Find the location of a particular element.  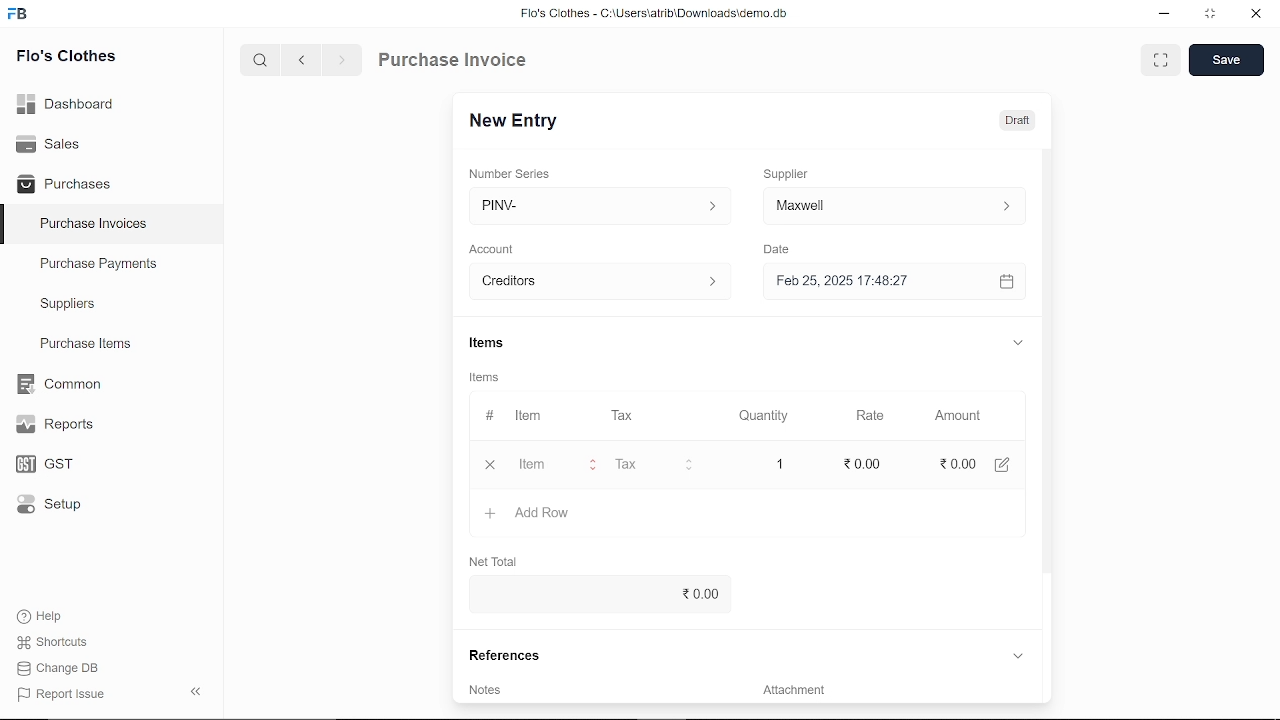

restore down is located at coordinates (1214, 15).